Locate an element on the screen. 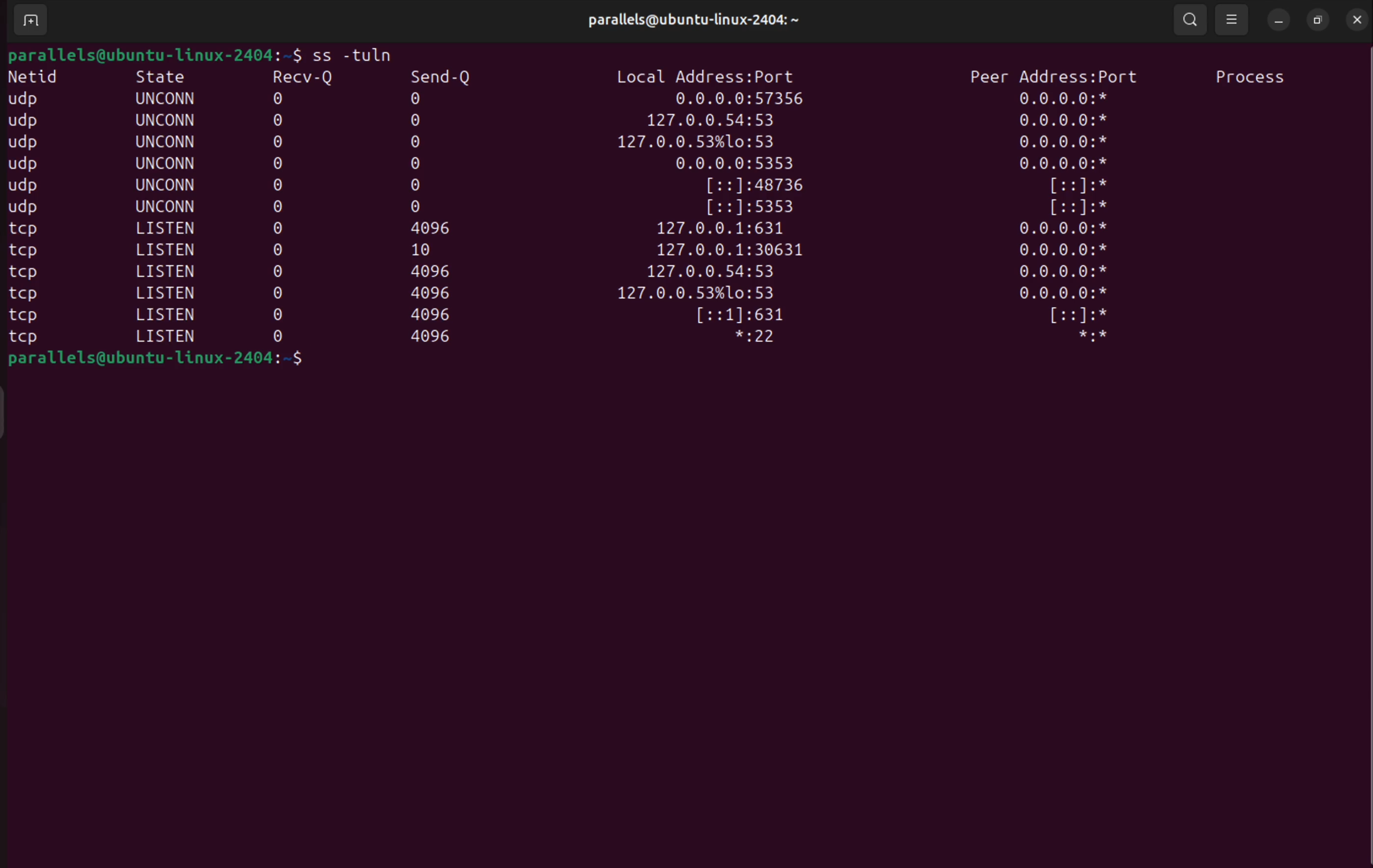 The image size is (1373, 868). listen is located at coordinates (165, 337).